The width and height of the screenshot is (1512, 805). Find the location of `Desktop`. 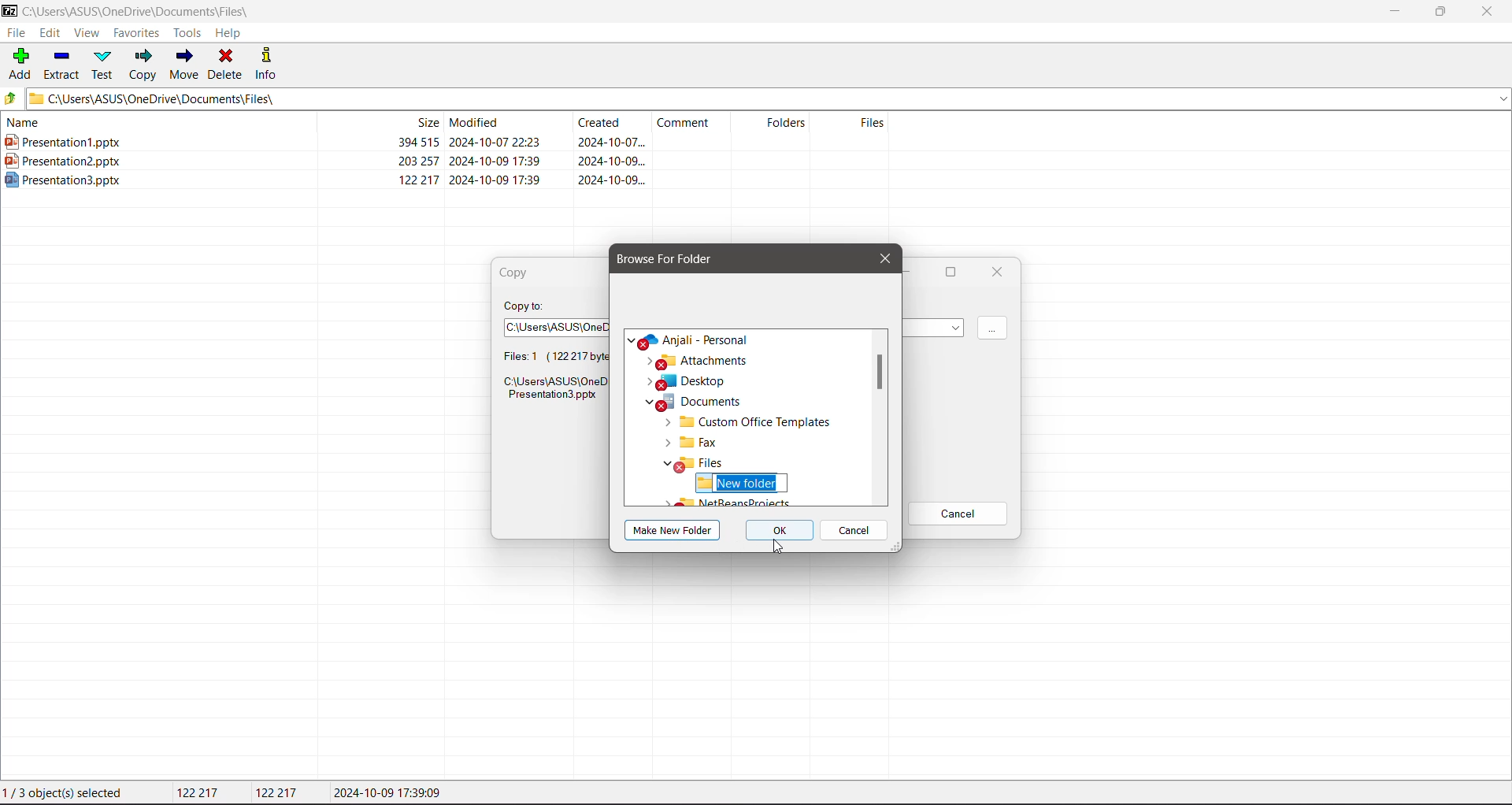

Desktop is located at coordinates (693, 402).